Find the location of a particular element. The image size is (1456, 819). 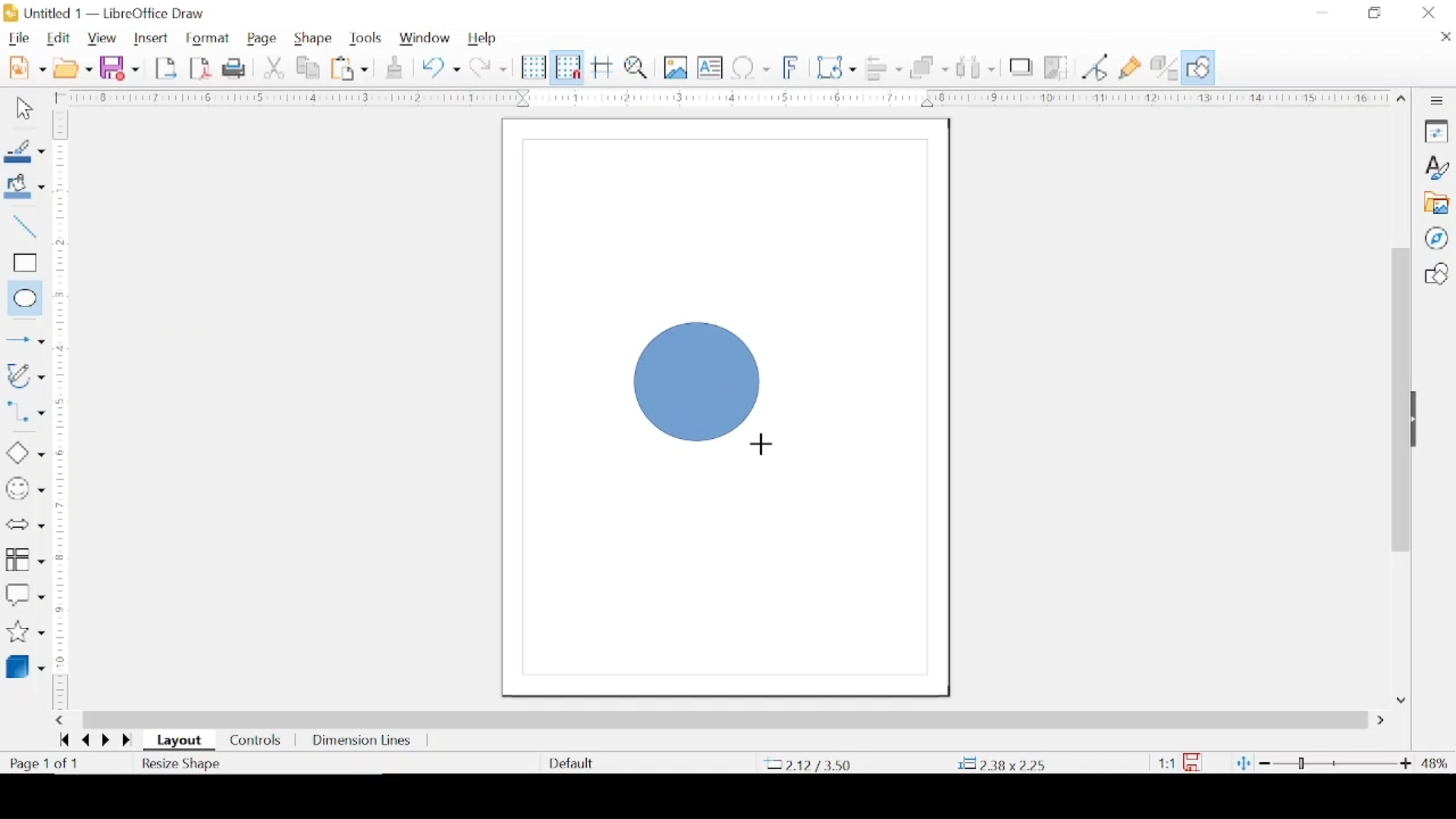

insert is located at coordinates (154, 38).